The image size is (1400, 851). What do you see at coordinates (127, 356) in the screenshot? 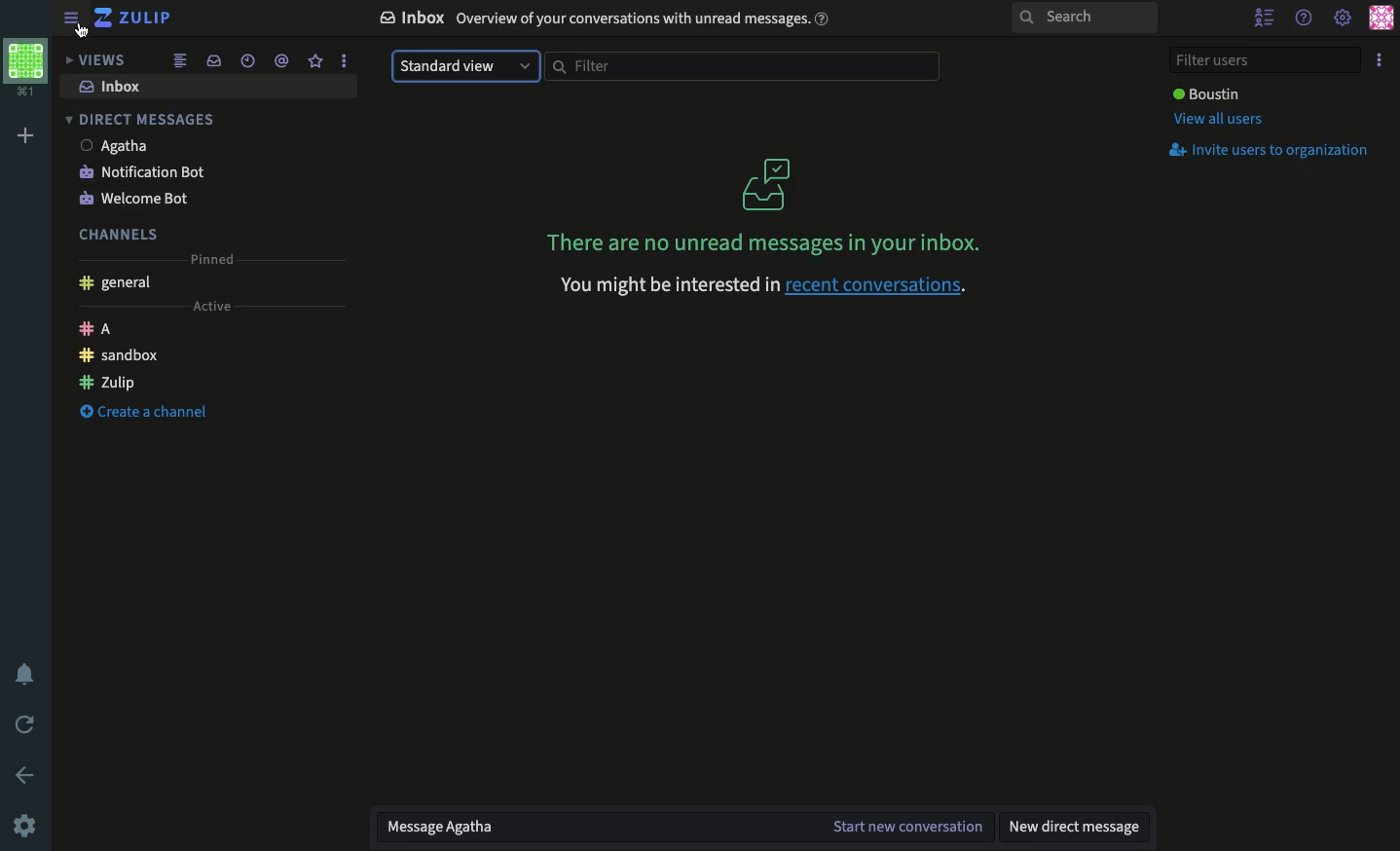
I see `Sandbox` at bounding box center [127, 356].